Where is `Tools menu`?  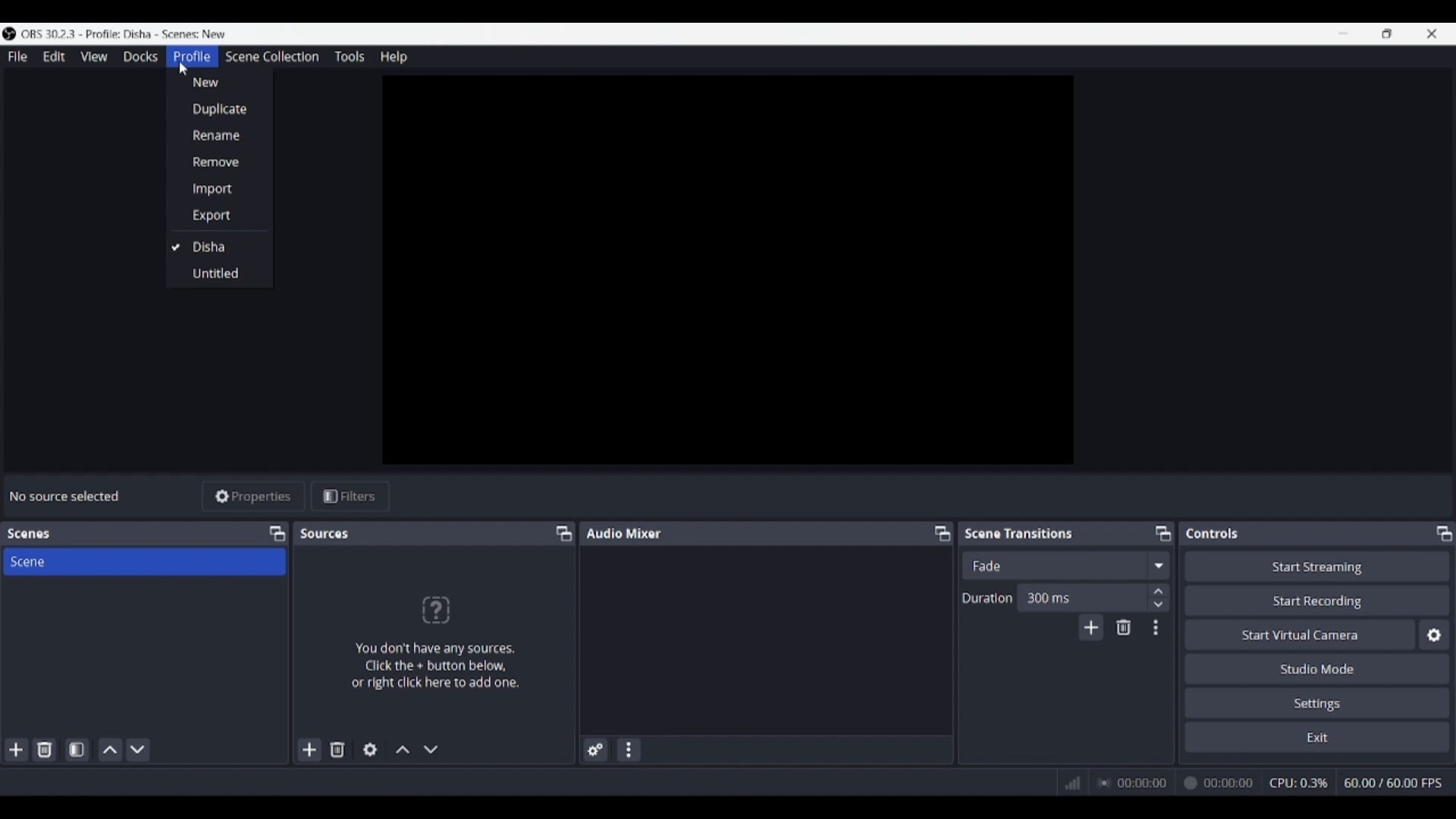
Tools menu is located at coordinates (349, 56).